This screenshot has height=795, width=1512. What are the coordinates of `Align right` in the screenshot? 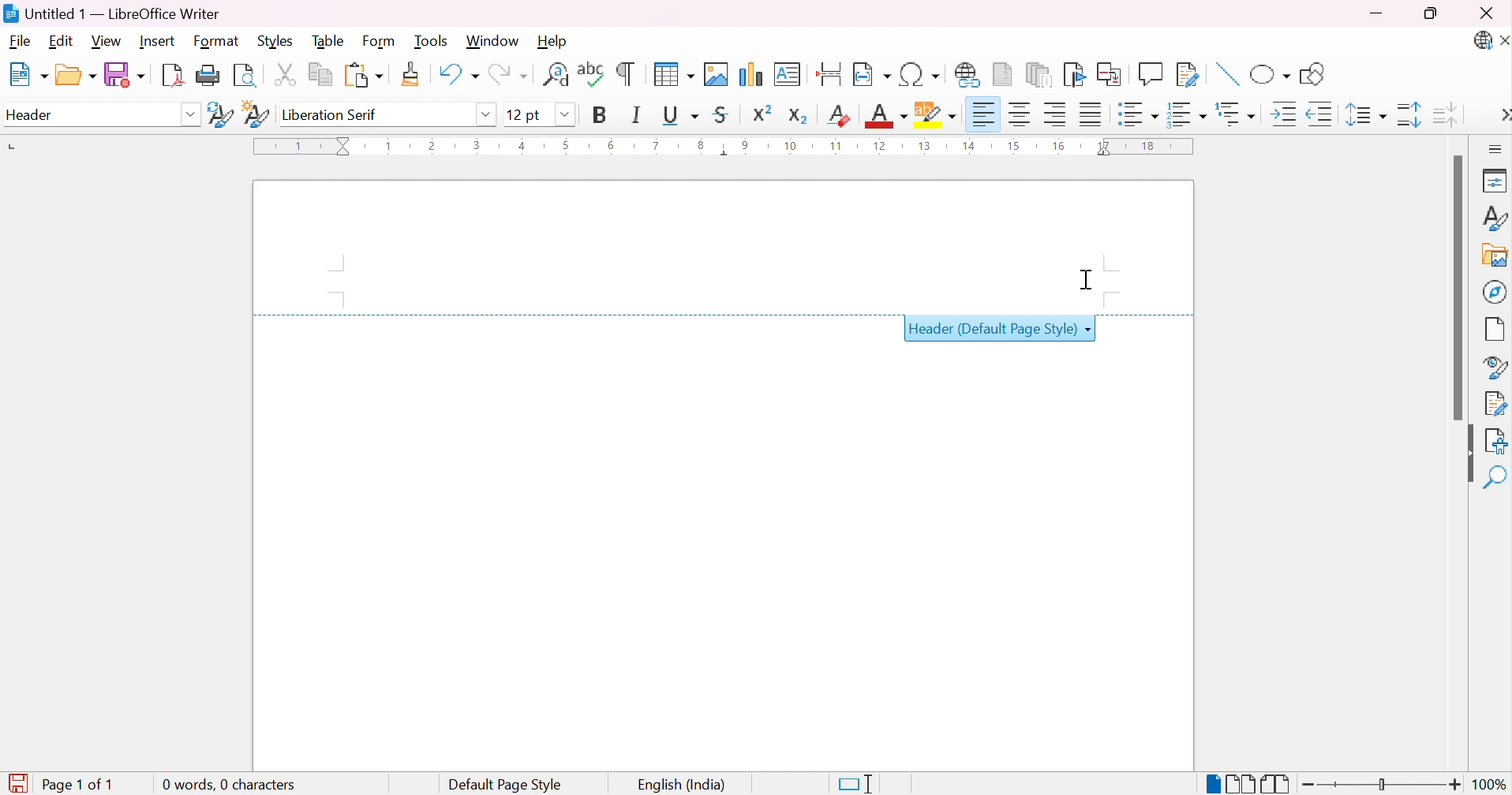 It's located at (1055, 114).